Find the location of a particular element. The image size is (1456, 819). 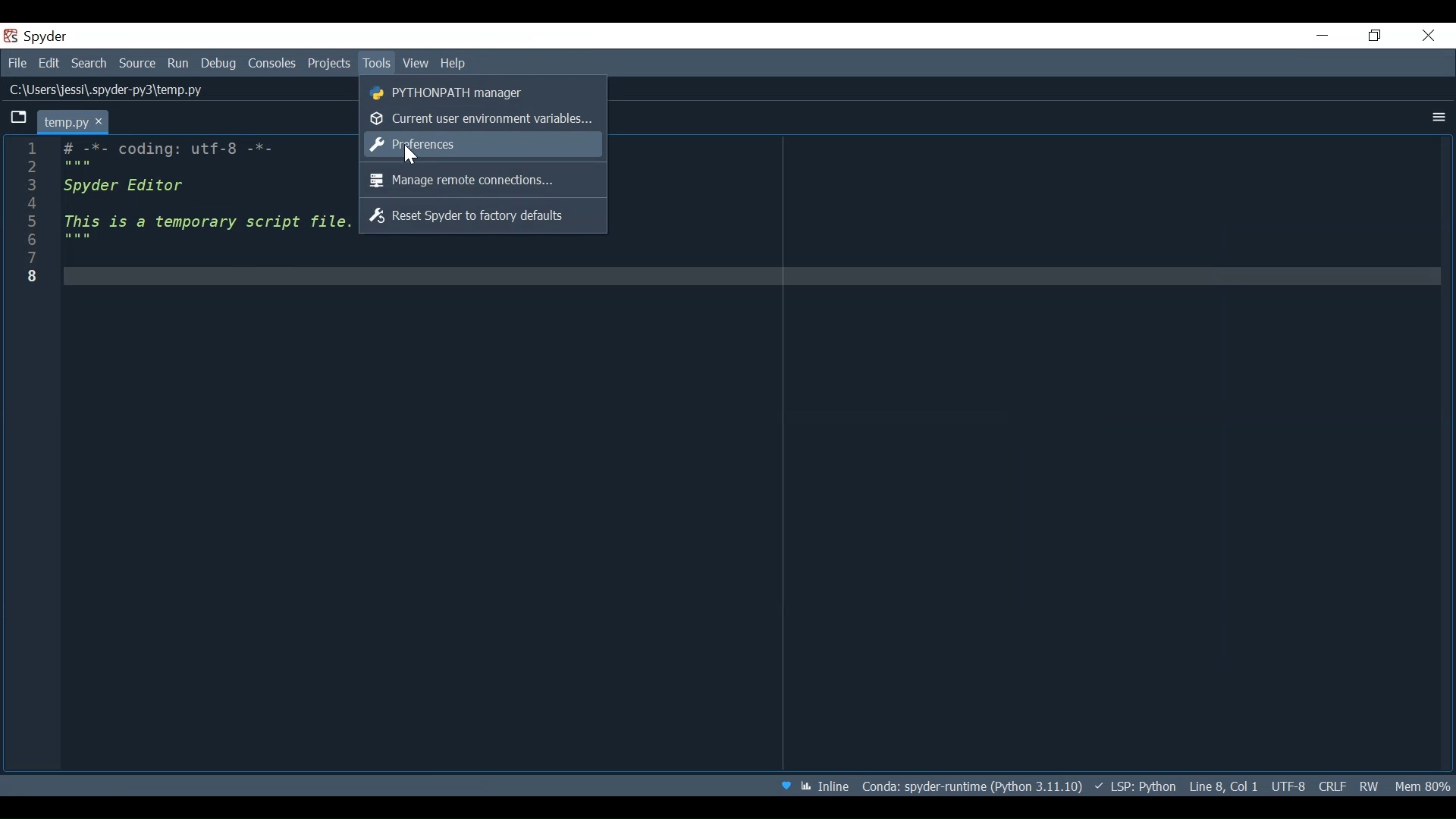

File is located at coordinates (15, 63).